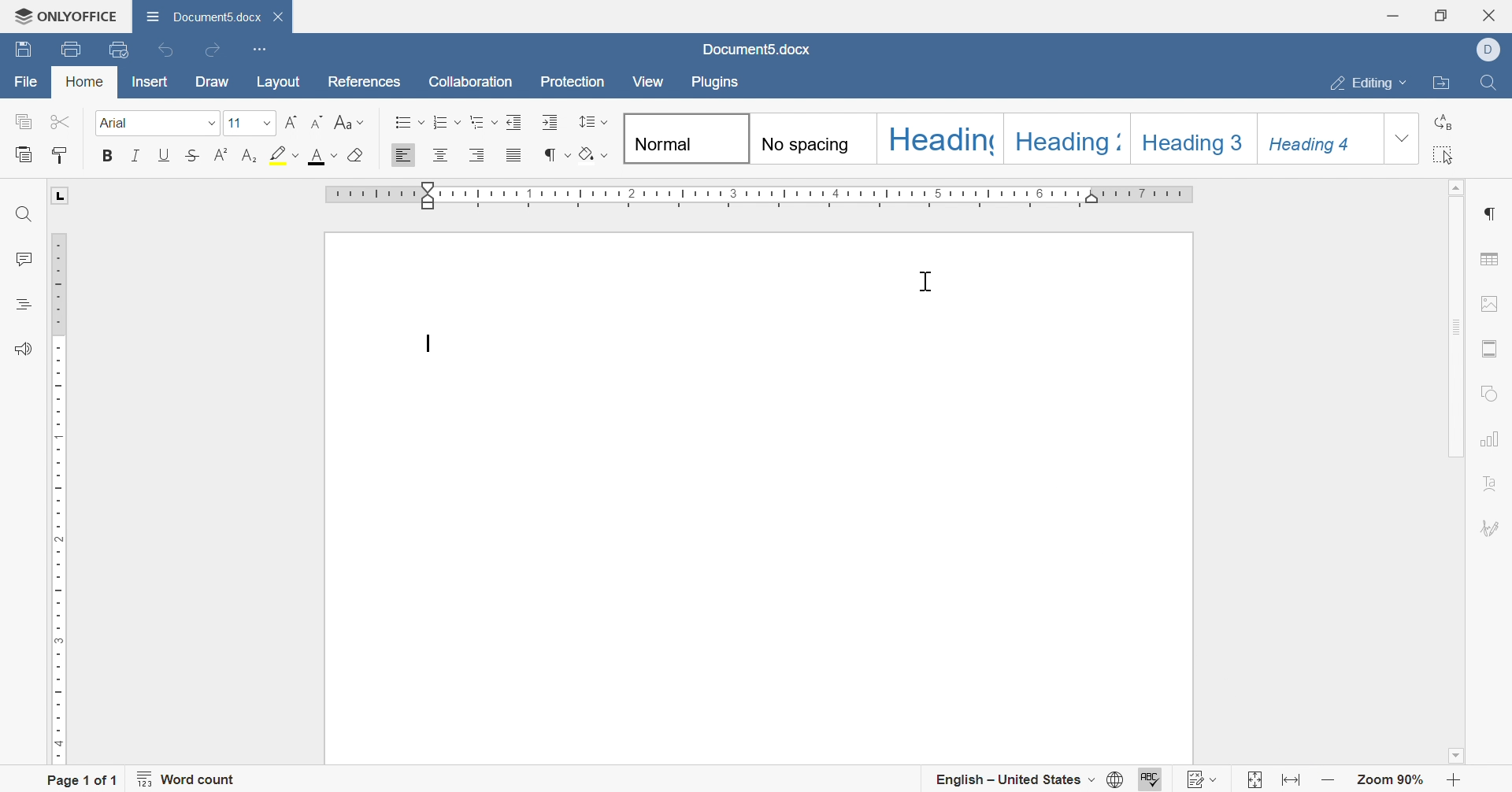 The width and height of the screenshot is (1512, 792). What do you see at coordinates (484, 123) in the screenshot?
I see `multilevel list` at bounding box center [484, 123].